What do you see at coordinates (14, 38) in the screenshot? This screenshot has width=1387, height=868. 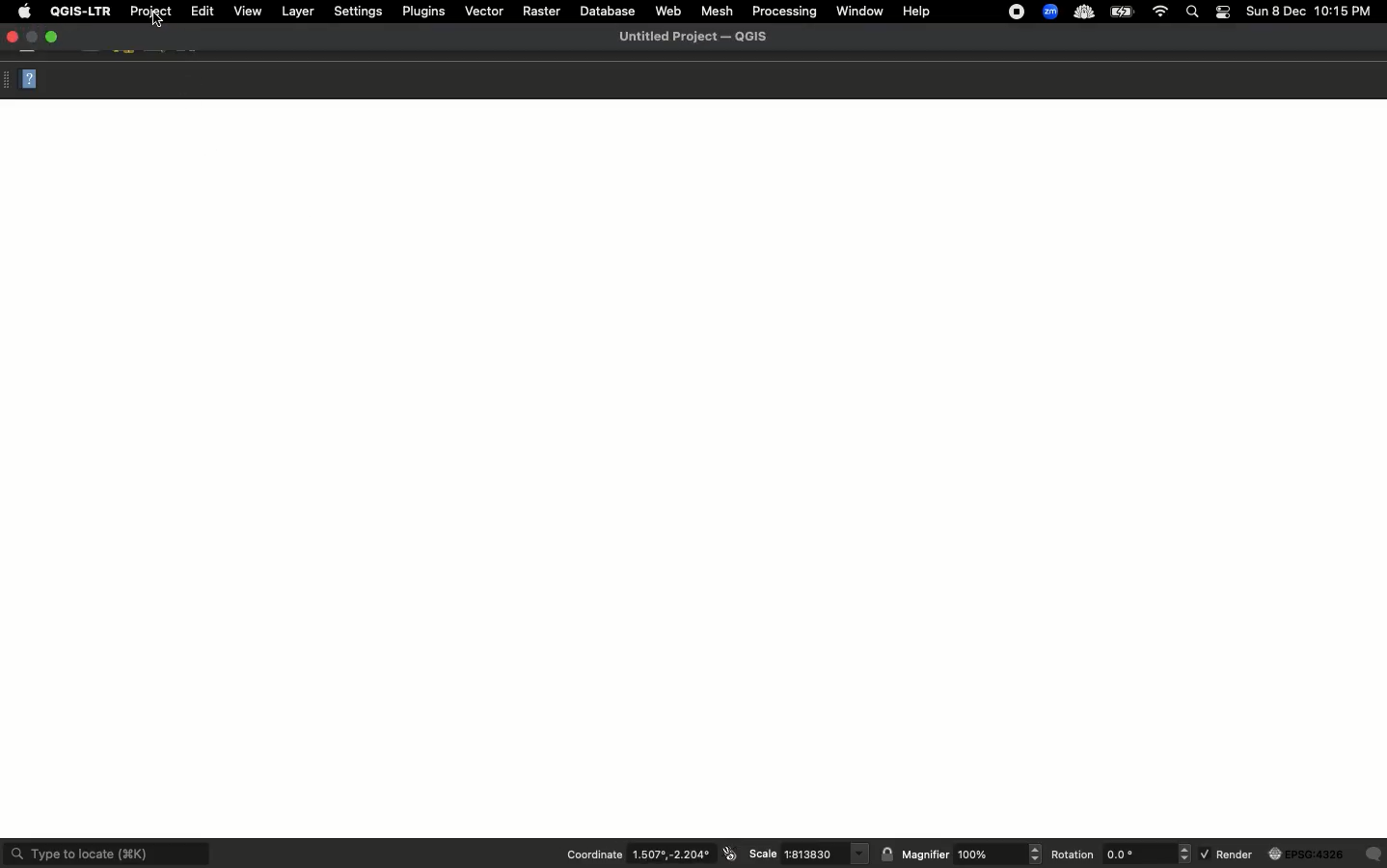 I see `Close` at bounding box center [14, 38].